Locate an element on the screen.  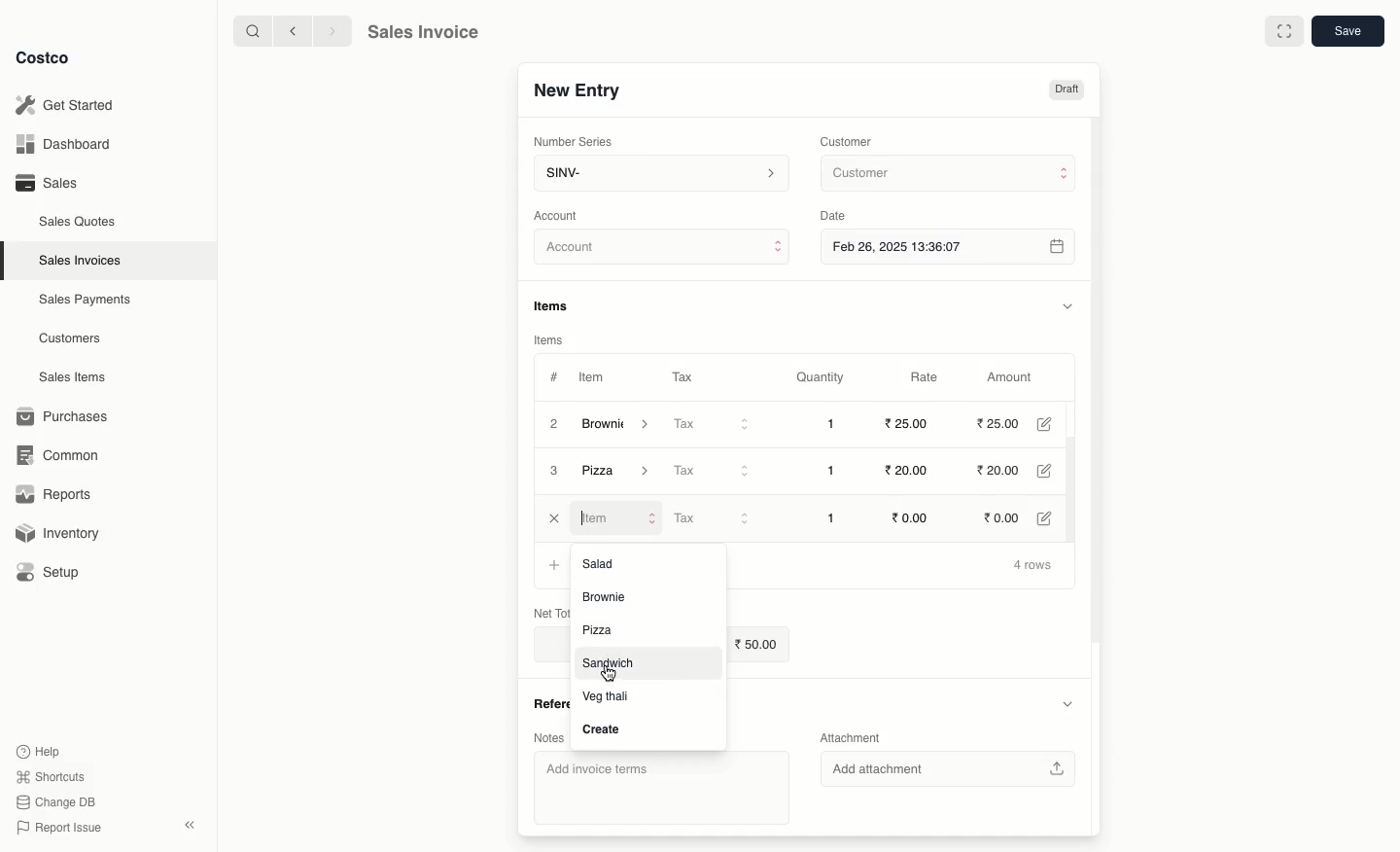
Sales Payments. is located at coordinates (87, 302).